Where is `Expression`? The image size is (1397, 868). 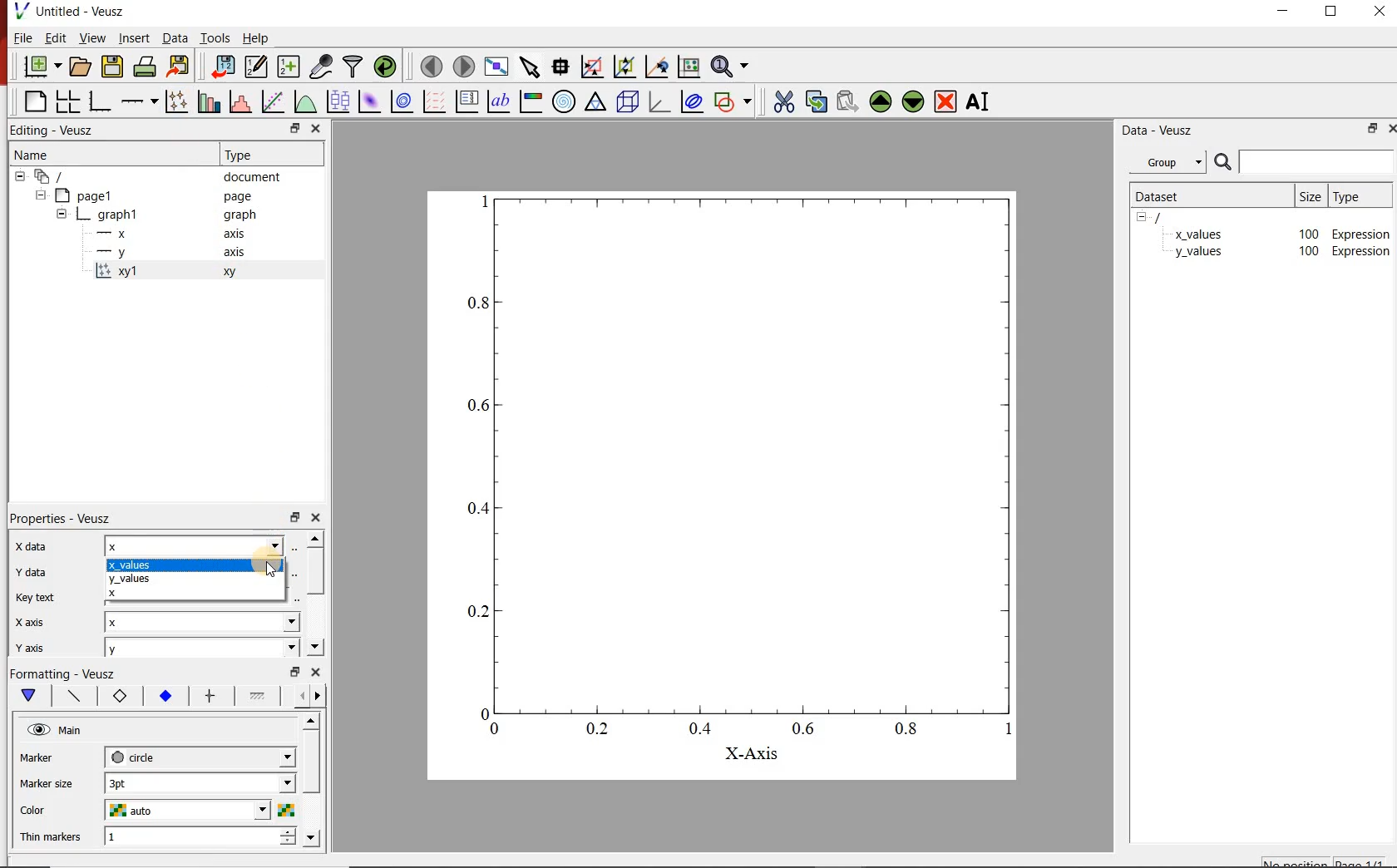
Expression is located at coordinates (1362, 232).